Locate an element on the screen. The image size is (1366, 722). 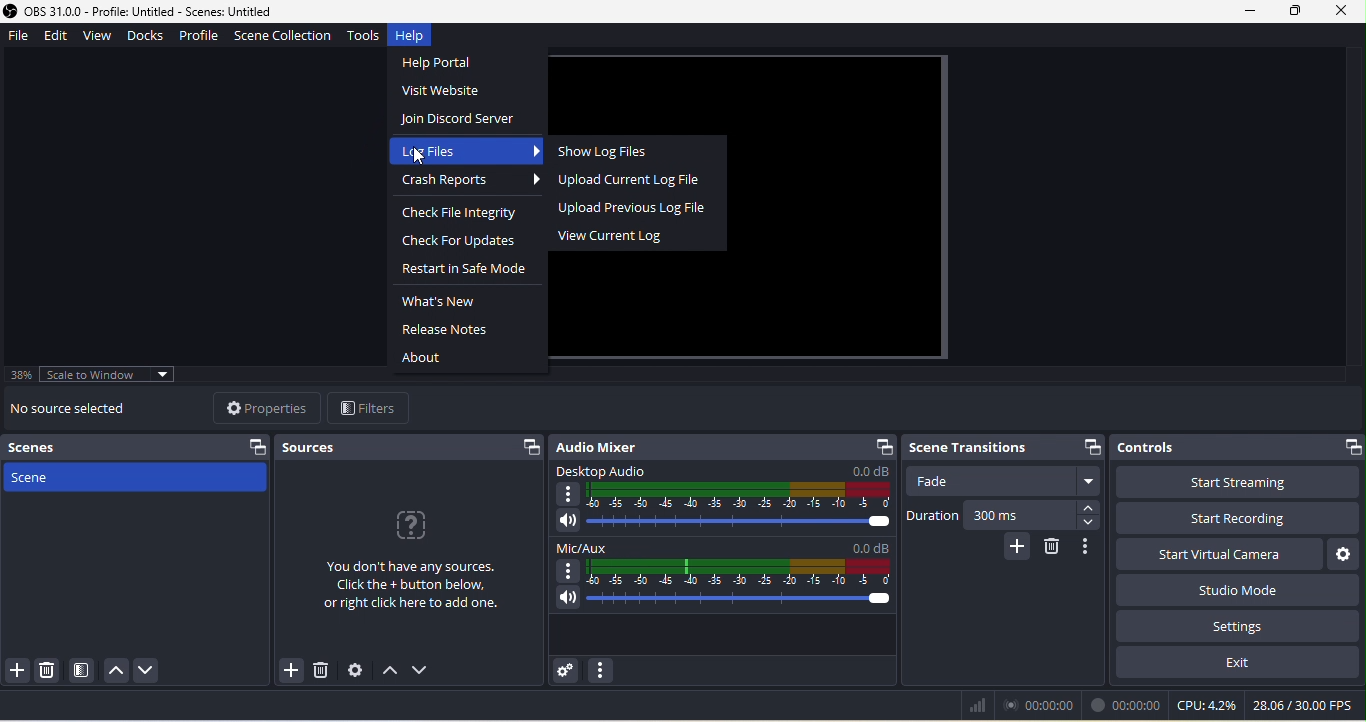
bars is located at coordinates (976, 705).